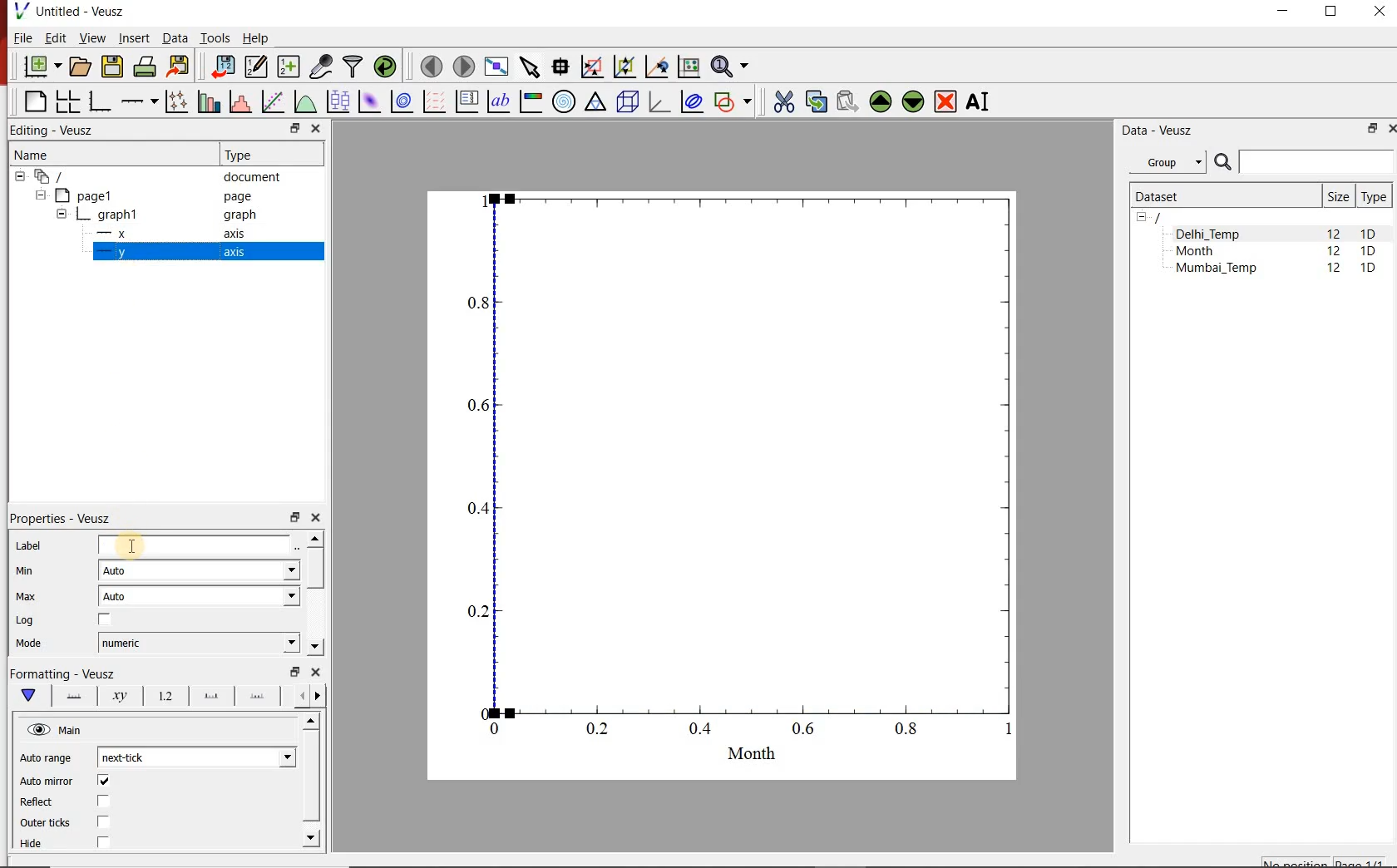 This screenshot has height=868, width=1397. I want to click on click to zoom out of graph axes, so click(624, 67).